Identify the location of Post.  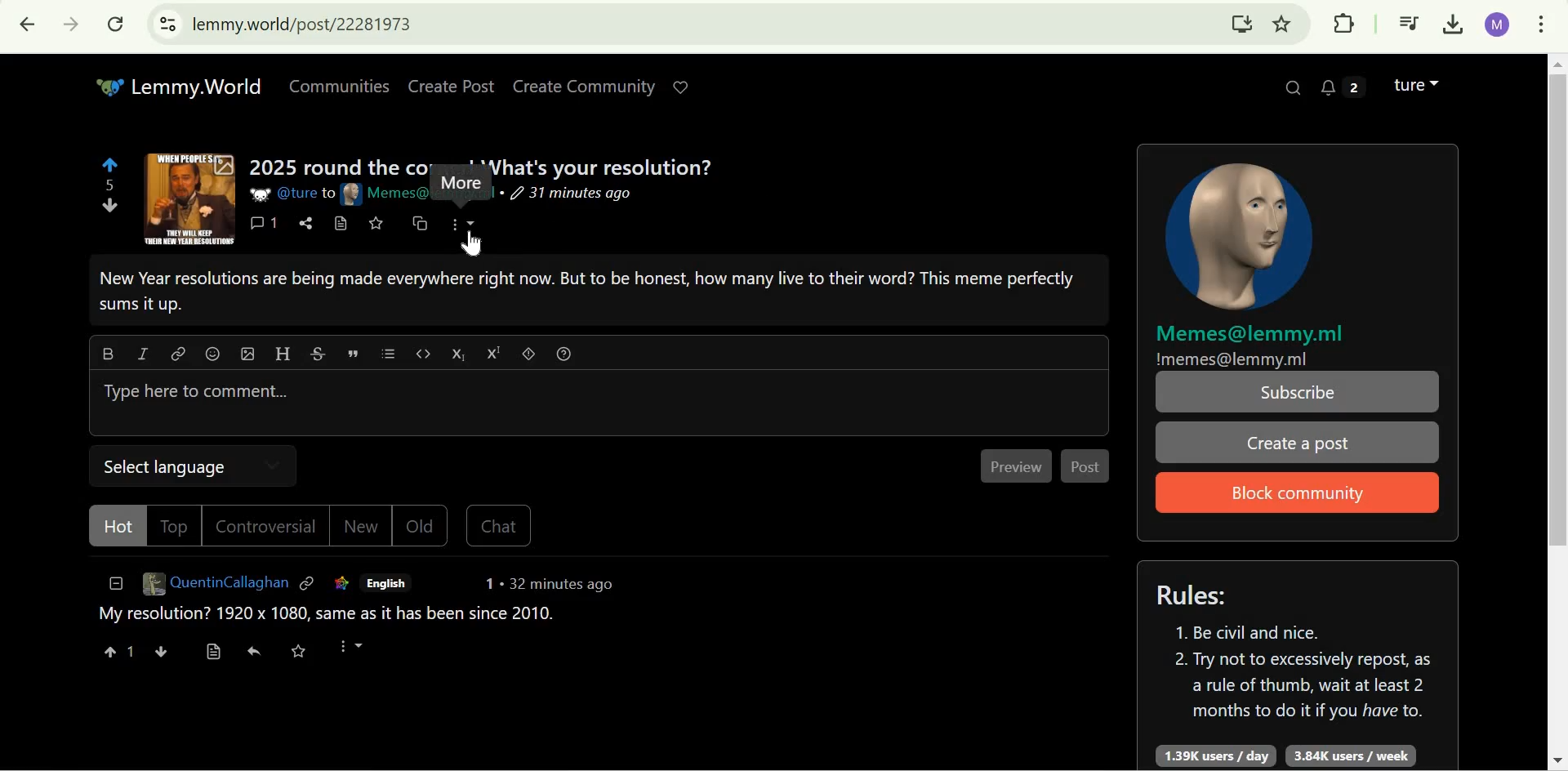
(1085, 467).